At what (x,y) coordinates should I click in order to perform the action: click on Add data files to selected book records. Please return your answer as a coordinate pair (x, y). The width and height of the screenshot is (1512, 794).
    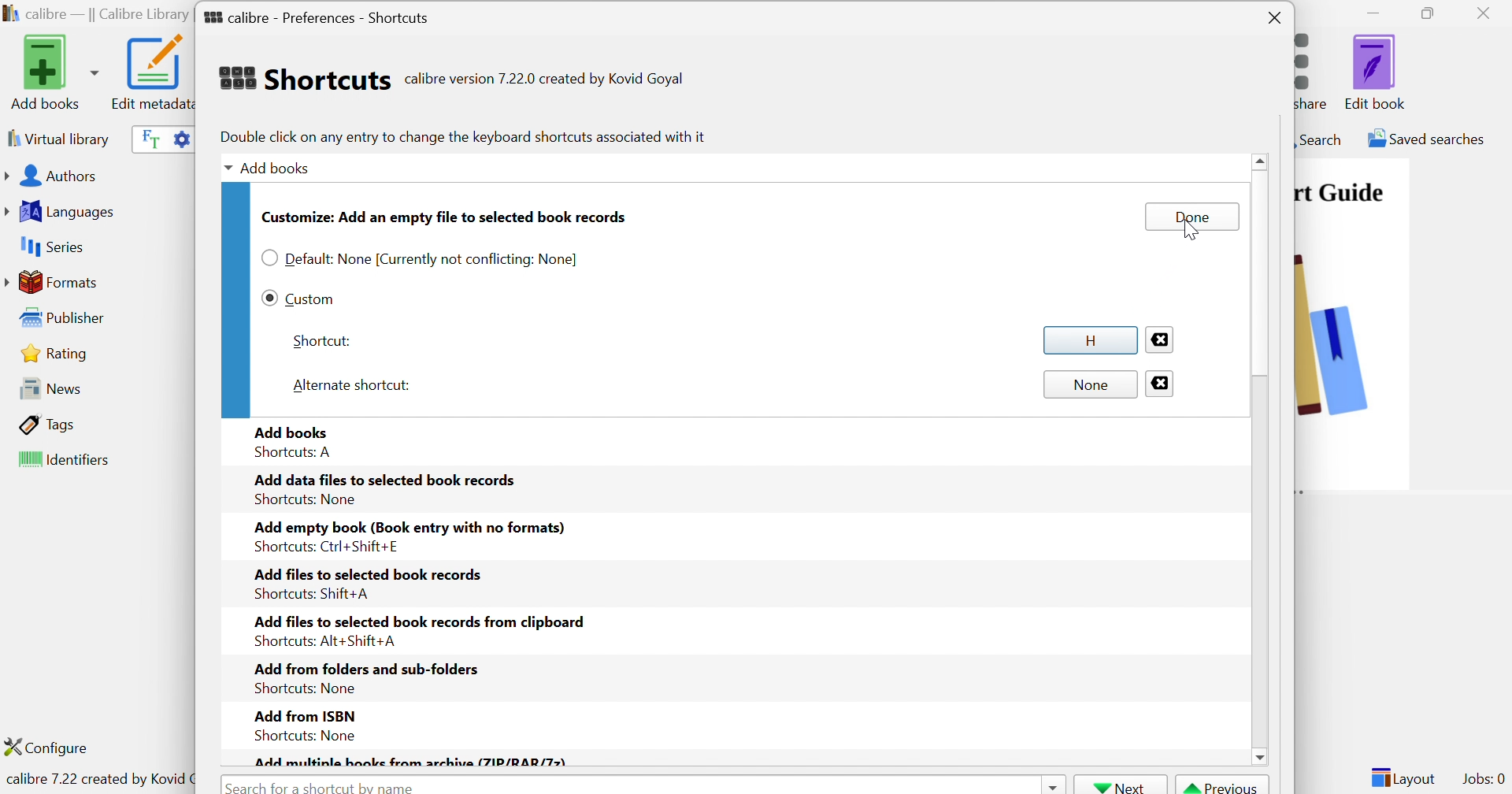
    Looking at the image, I should click on (387, 479).